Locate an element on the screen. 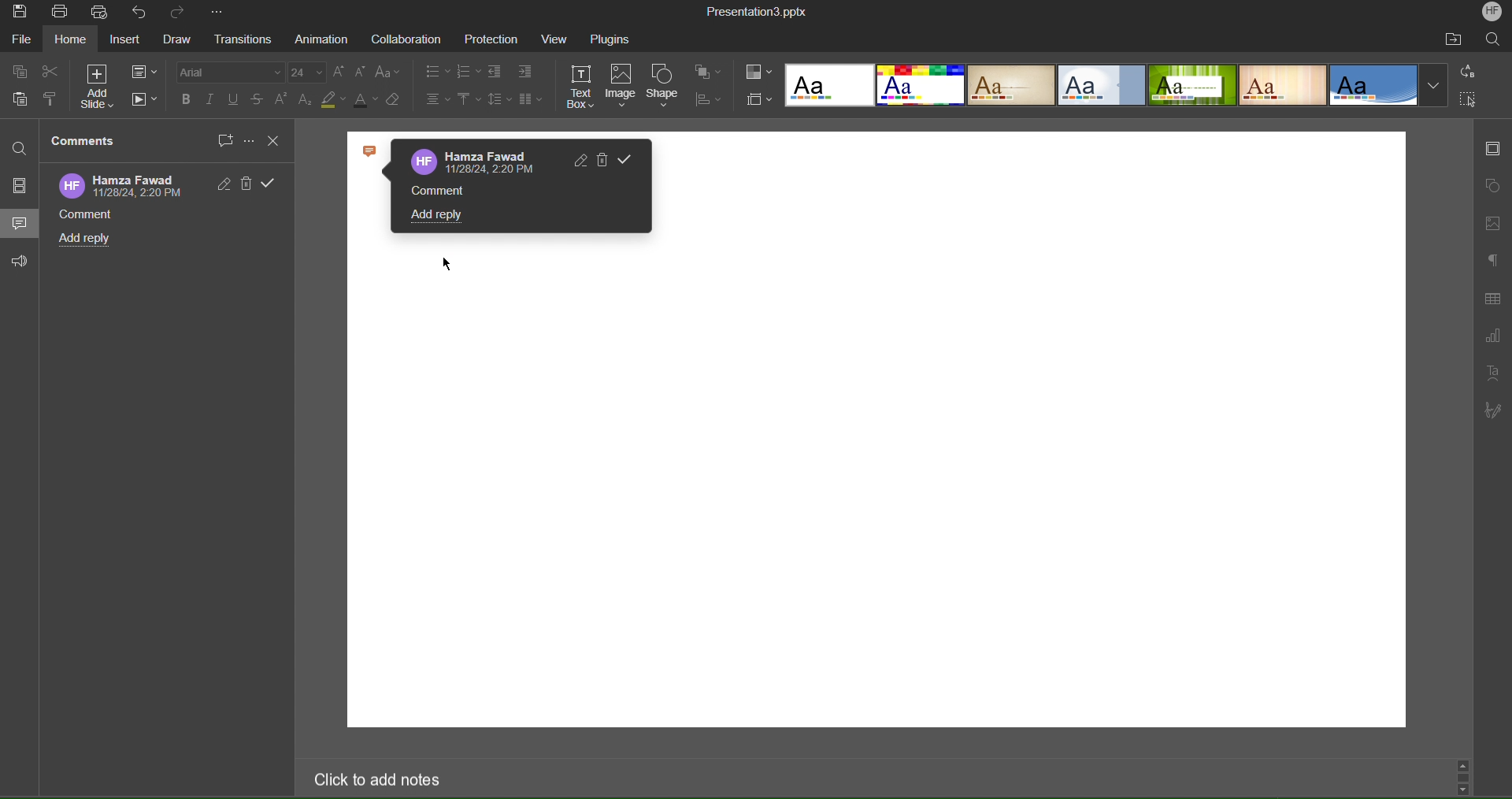 This screenshot has width=1512, height=799. Validate is located at coordinates (271, 183).